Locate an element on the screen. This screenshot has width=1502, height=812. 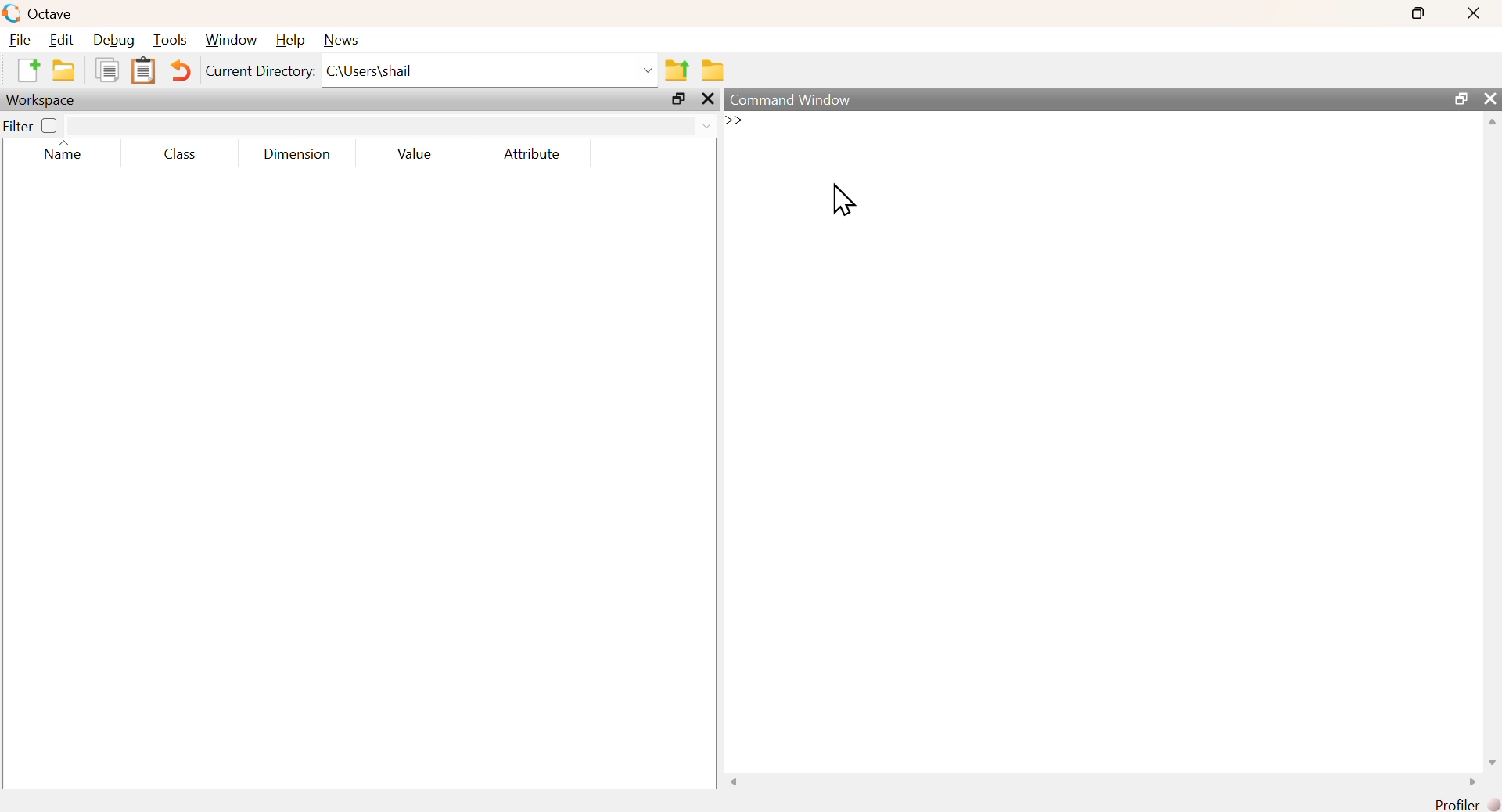
command is located at coordinates (1035, 135).